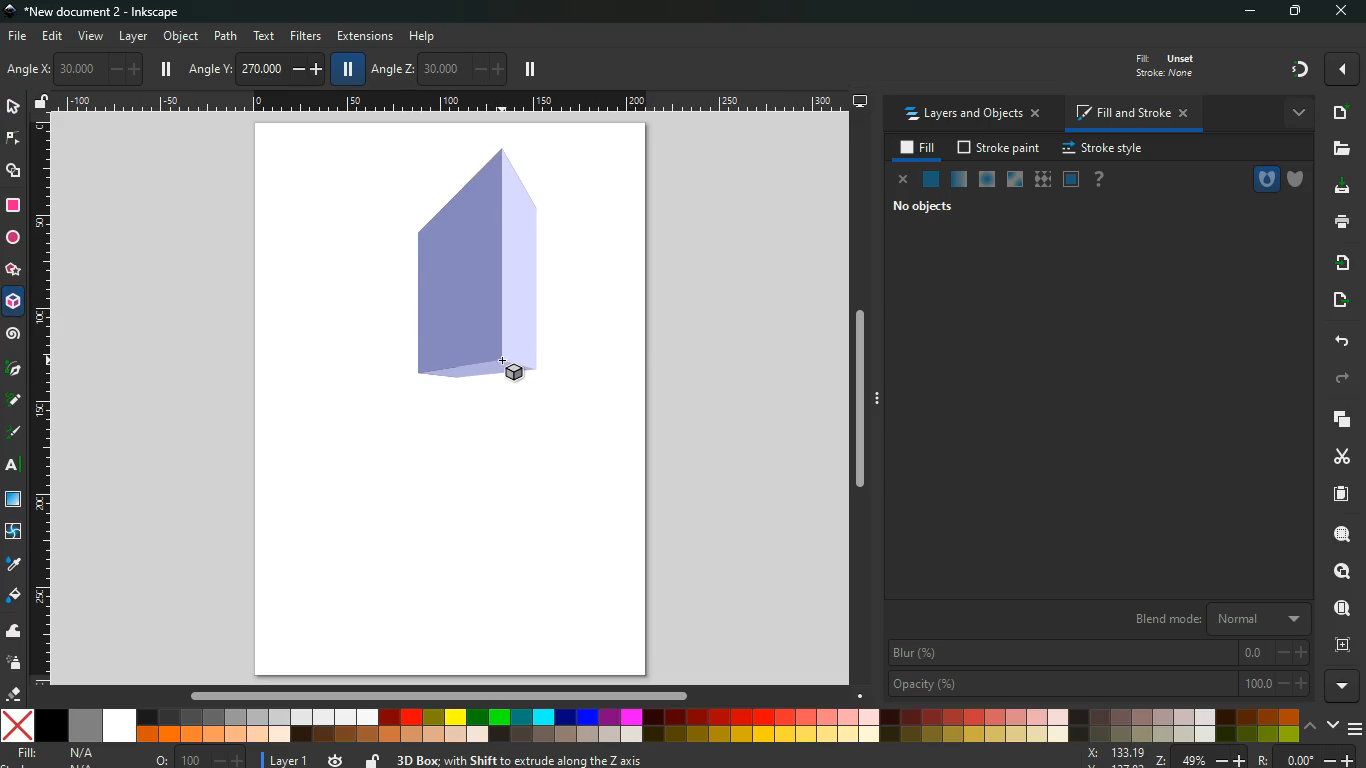 The height and width of the screenshot is (768, 1366). Describe the element at coordinates (1000, 149) in the screenshot. I see `stroke paint` at that location.